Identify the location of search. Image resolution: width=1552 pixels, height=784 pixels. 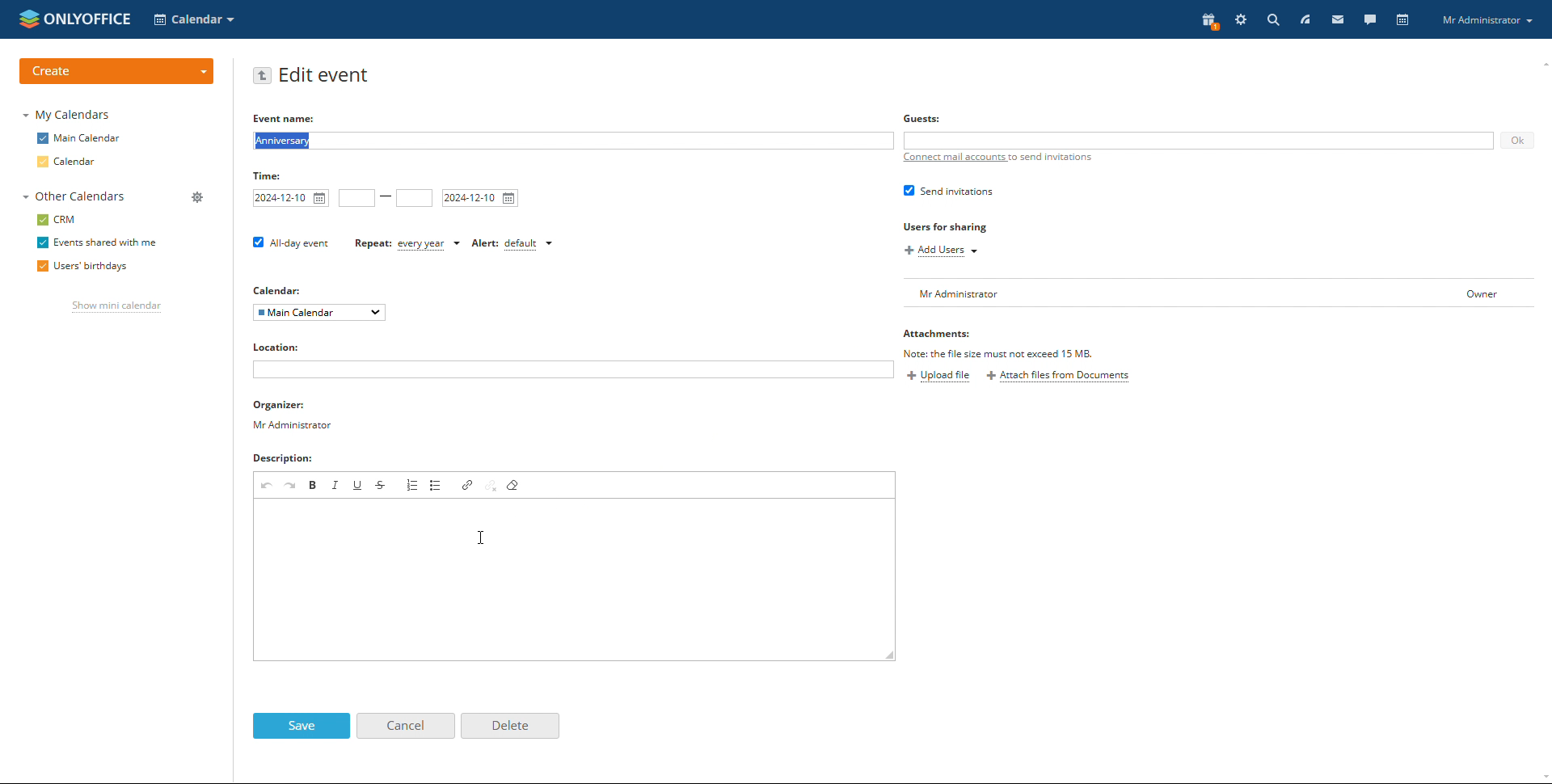
(1272, 19).